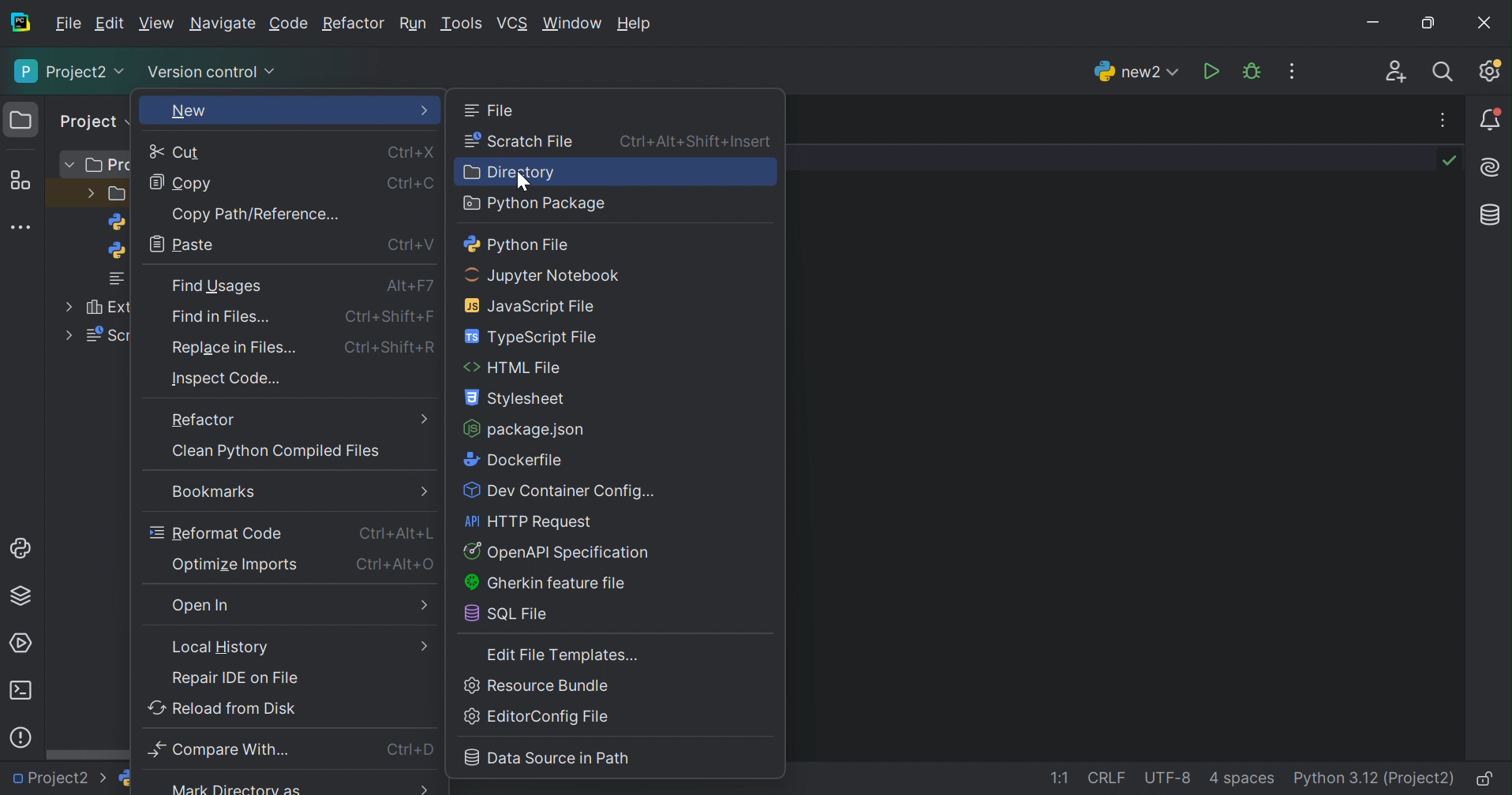  Describe the element at coordinates (223, 707) in the screenshot. I see `Reload from disk` at that location.